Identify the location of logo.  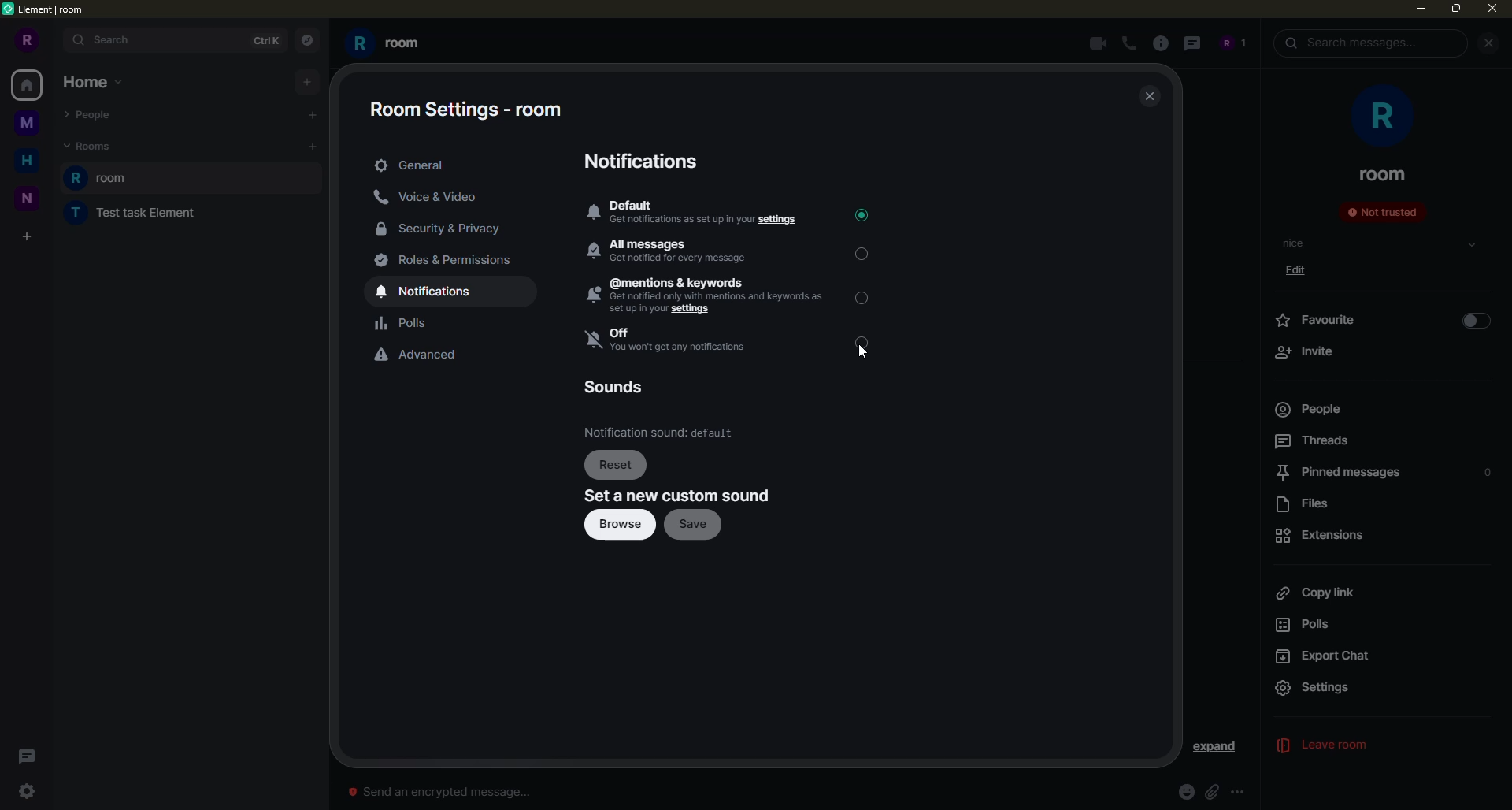
(10, 10).